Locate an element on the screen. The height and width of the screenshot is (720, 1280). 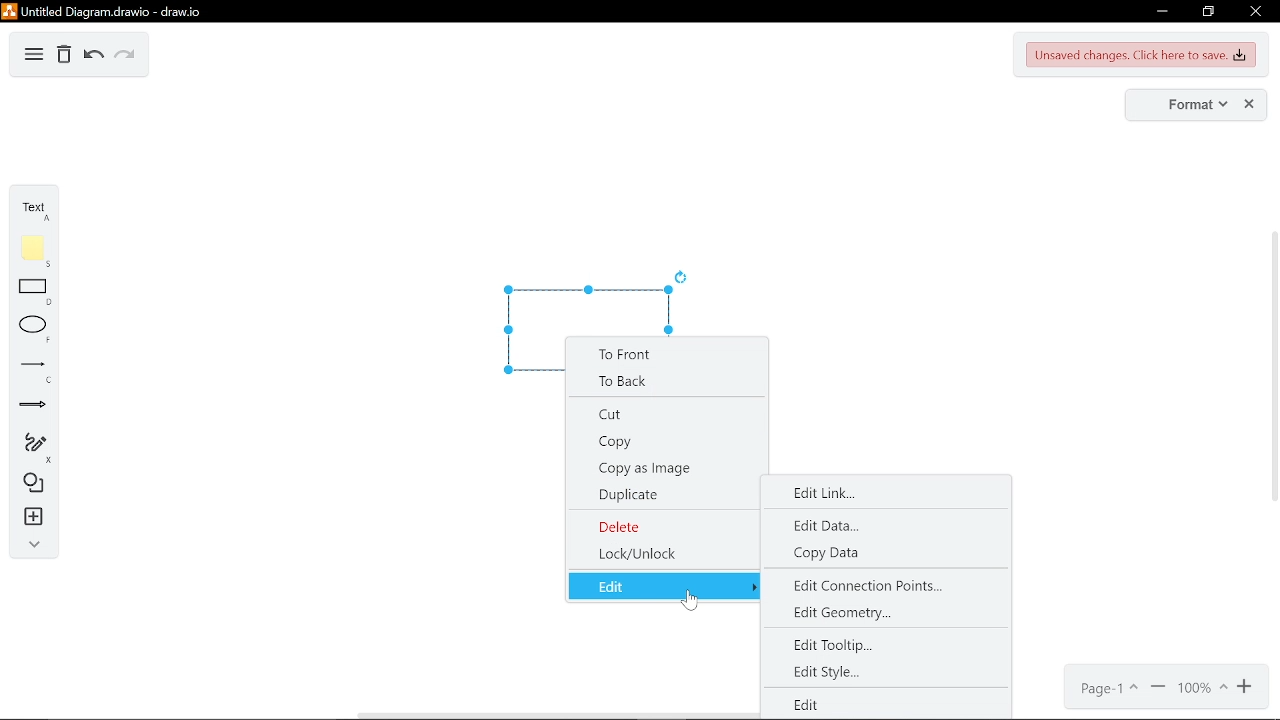
zoom out is located at coordinates (1158, 688).